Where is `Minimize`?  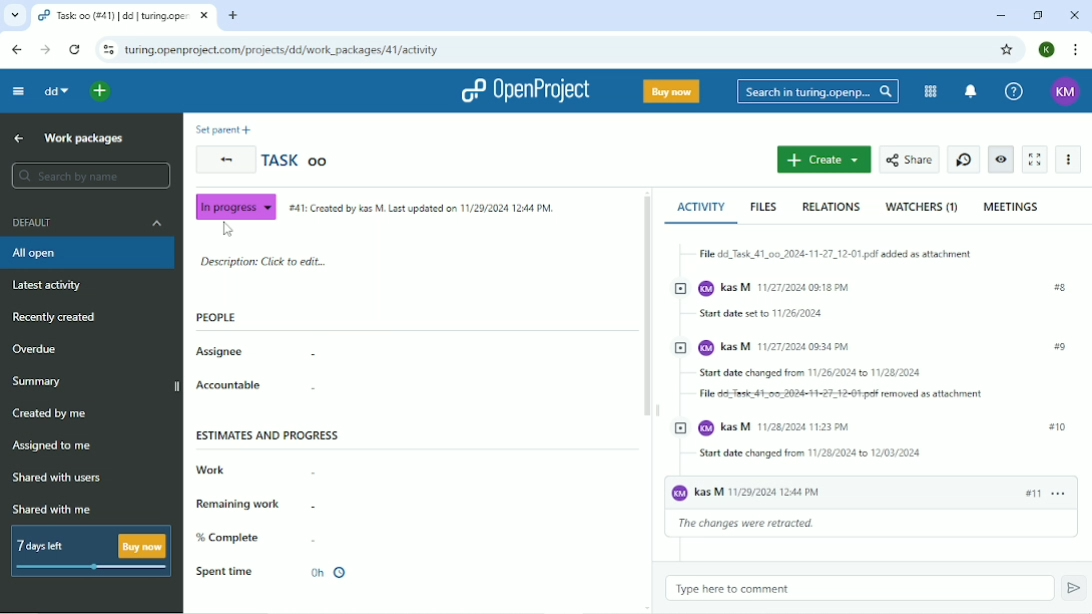 Minimize is located at coordinates (1000, 14).